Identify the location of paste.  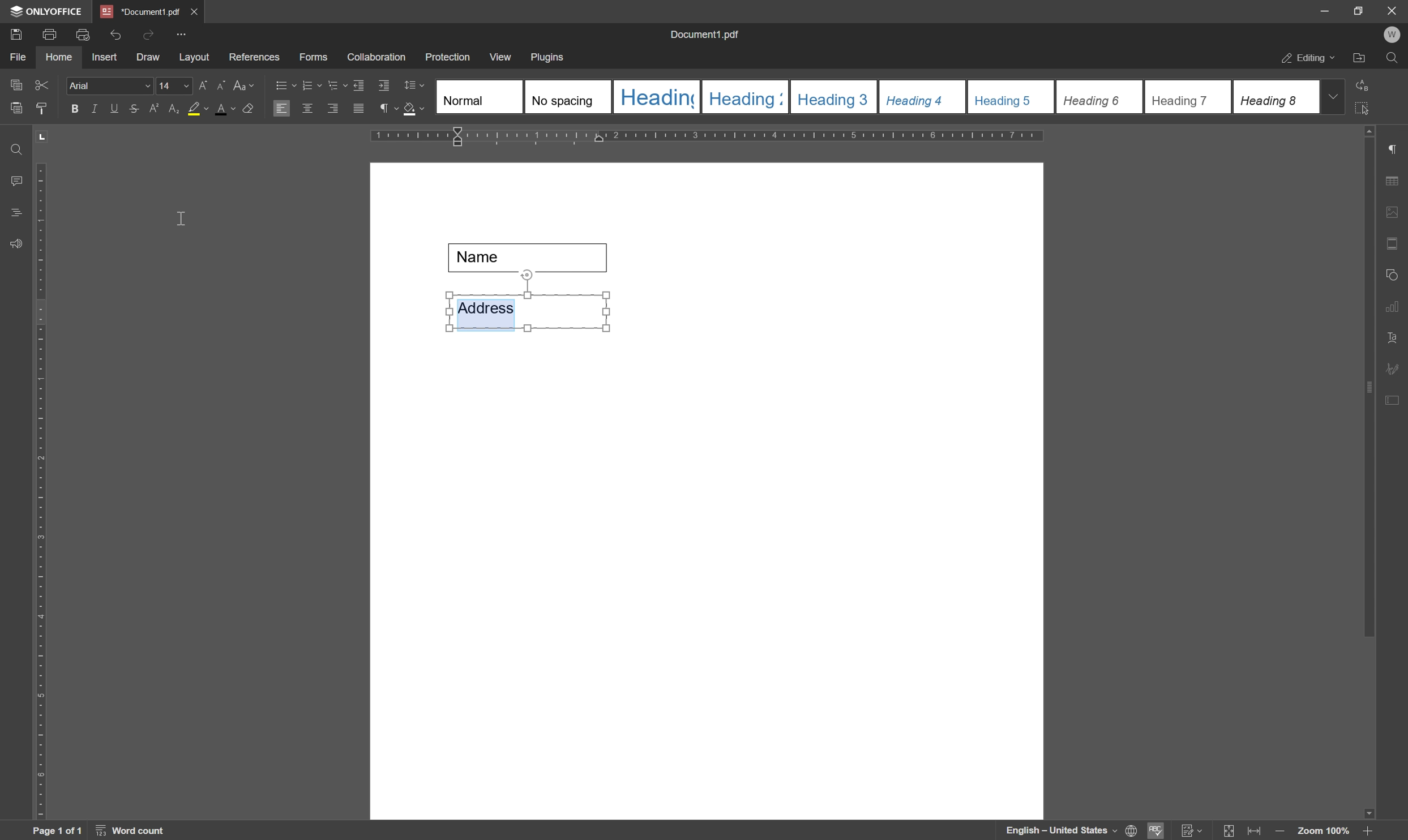
(17, 109).